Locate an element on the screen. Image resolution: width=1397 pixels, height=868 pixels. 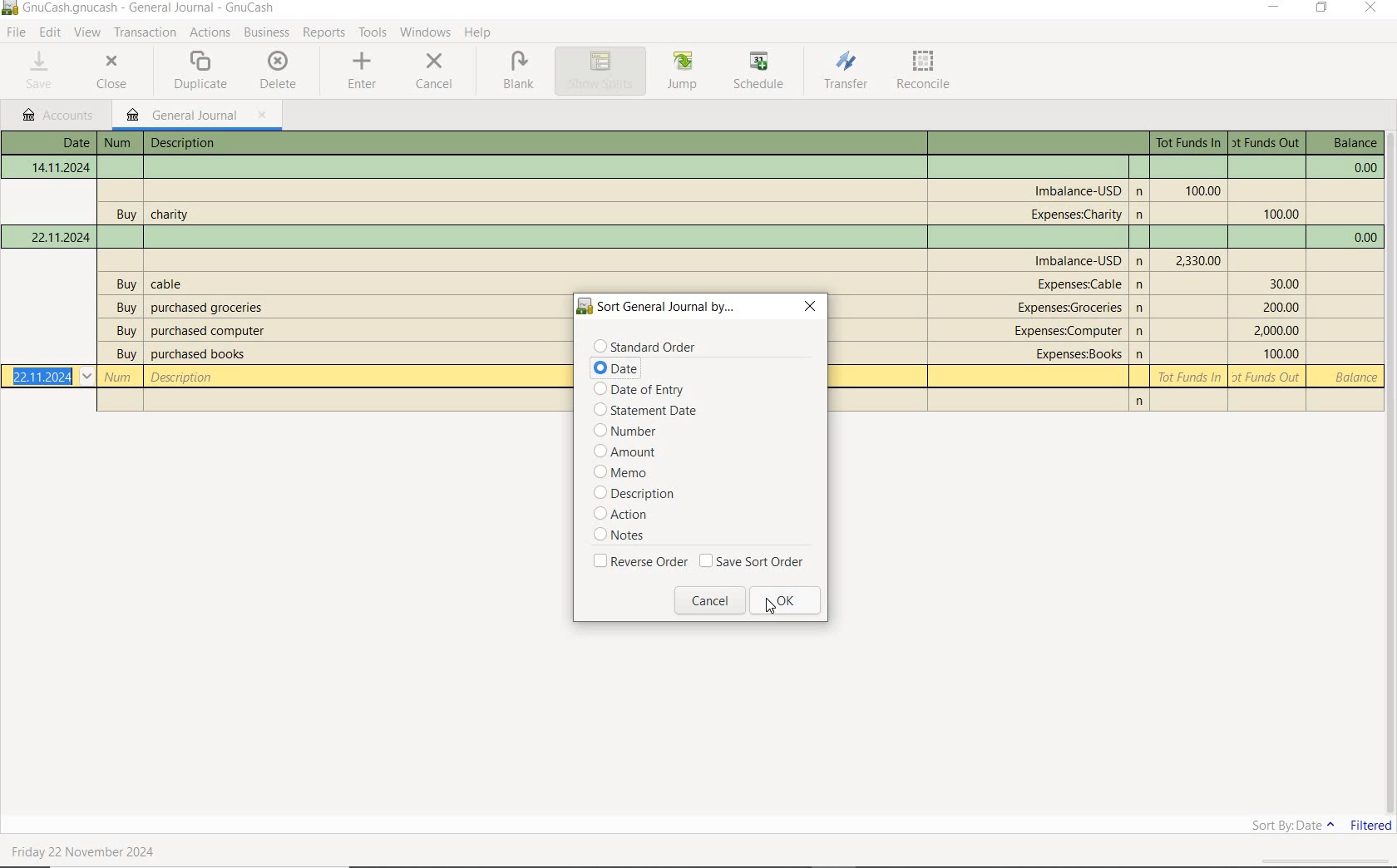
Number is located at coordinates (120, 378).